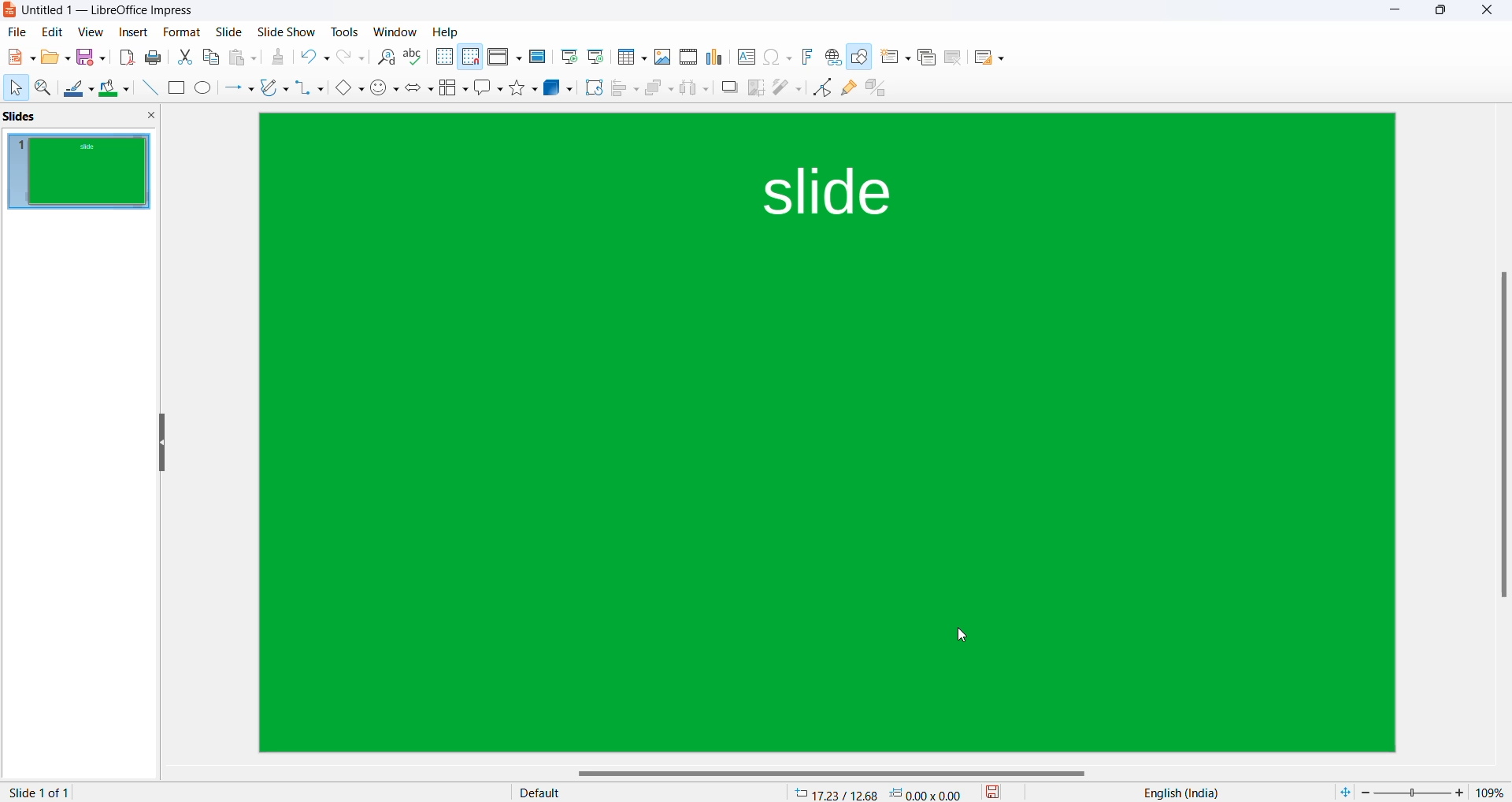 The width and height of the screenshot is (1512, 802). I want to click on paste options, so click(246, 58).